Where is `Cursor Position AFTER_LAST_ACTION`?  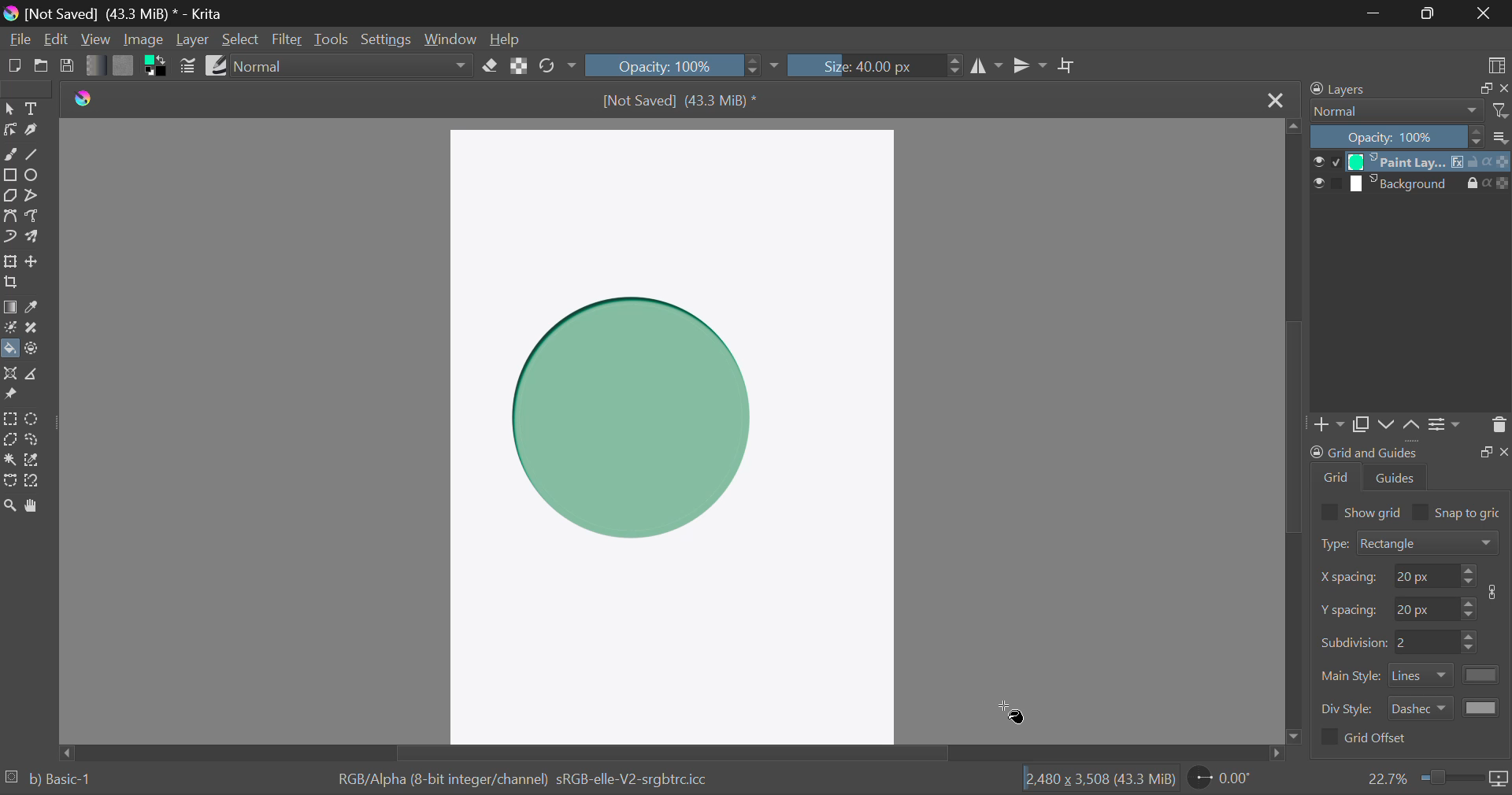 Cursor Position AFTER_LAST_ACTION is located at coordinates (1012, 715).